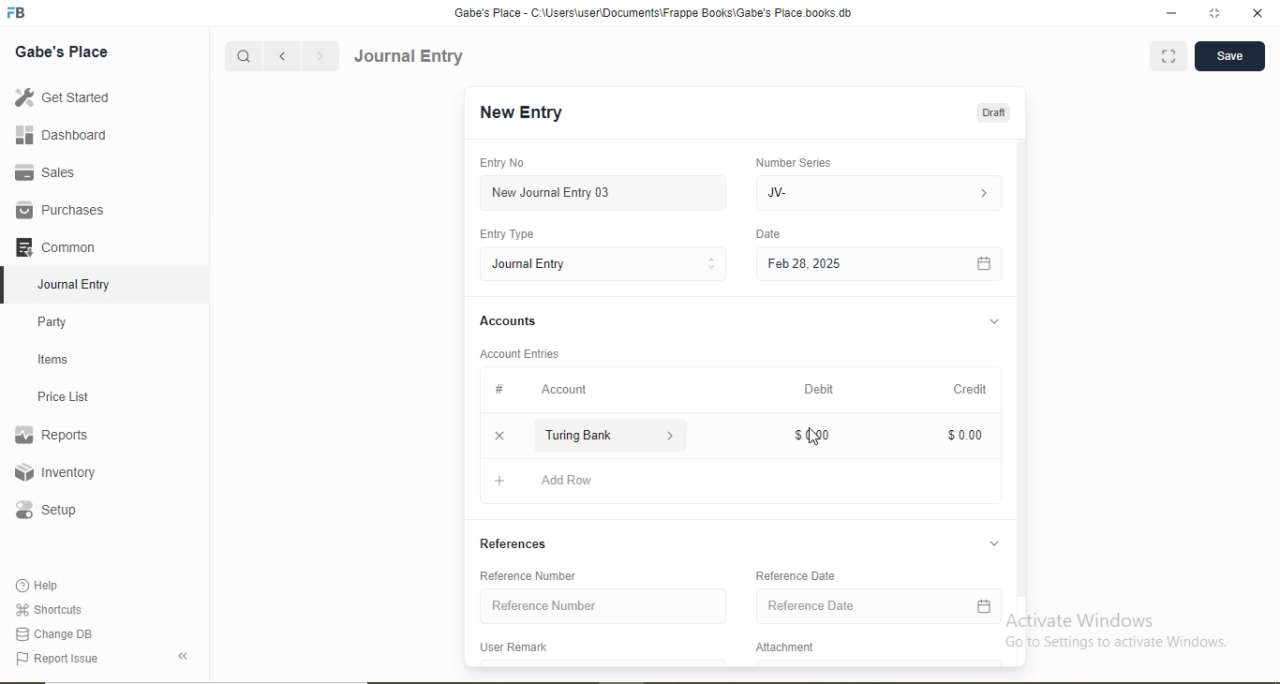 This screenshot has width=1280, height=684. Describe the element at coordinates (811, 605) in the screenshot. I see `Reference Date` at that location.